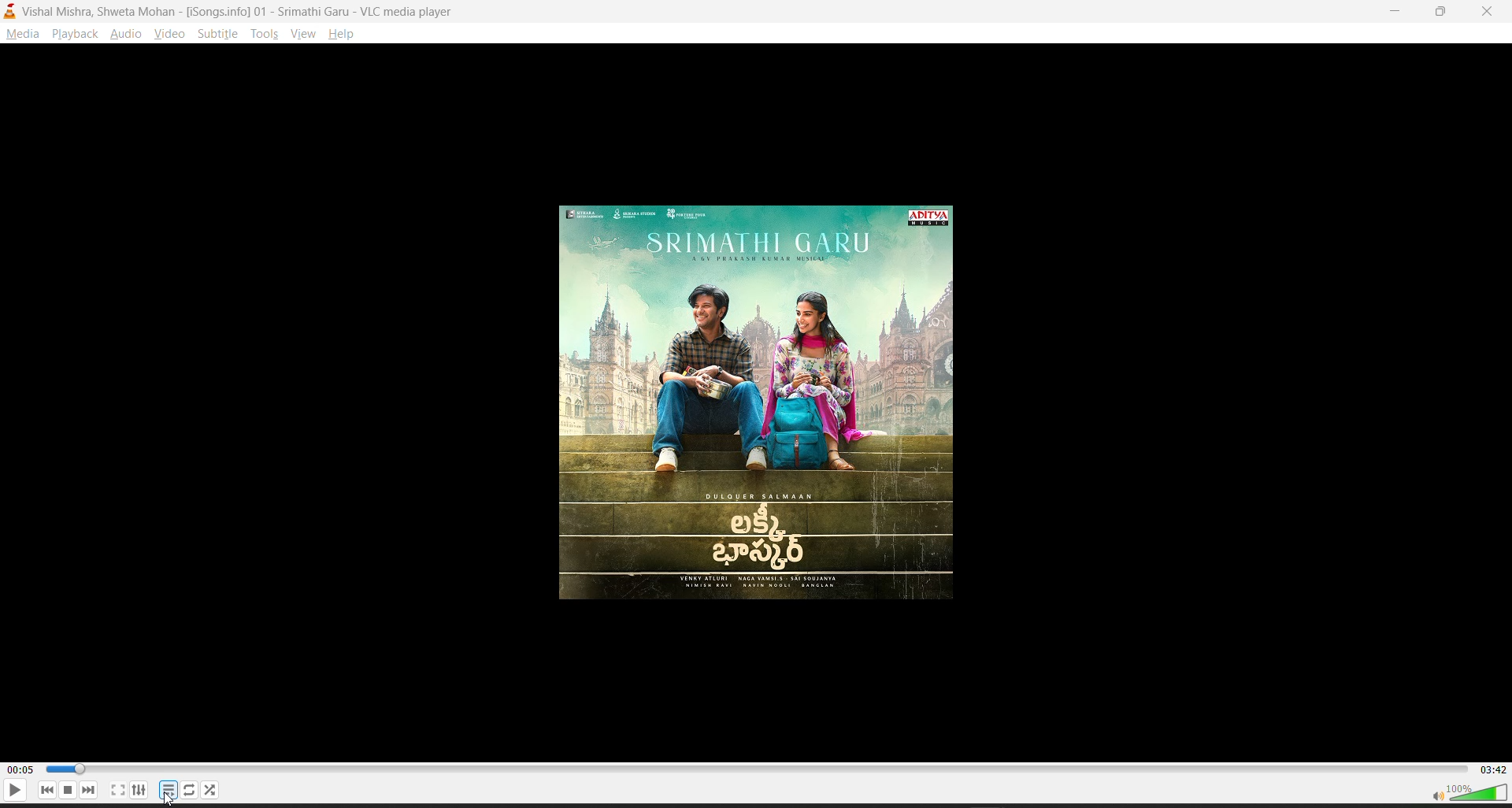 The width and height of the screenshot is (1512, 808). What do you see at coordinates (214, 790) in the screenshot?
I see `random` at bounding box center [214, 790].